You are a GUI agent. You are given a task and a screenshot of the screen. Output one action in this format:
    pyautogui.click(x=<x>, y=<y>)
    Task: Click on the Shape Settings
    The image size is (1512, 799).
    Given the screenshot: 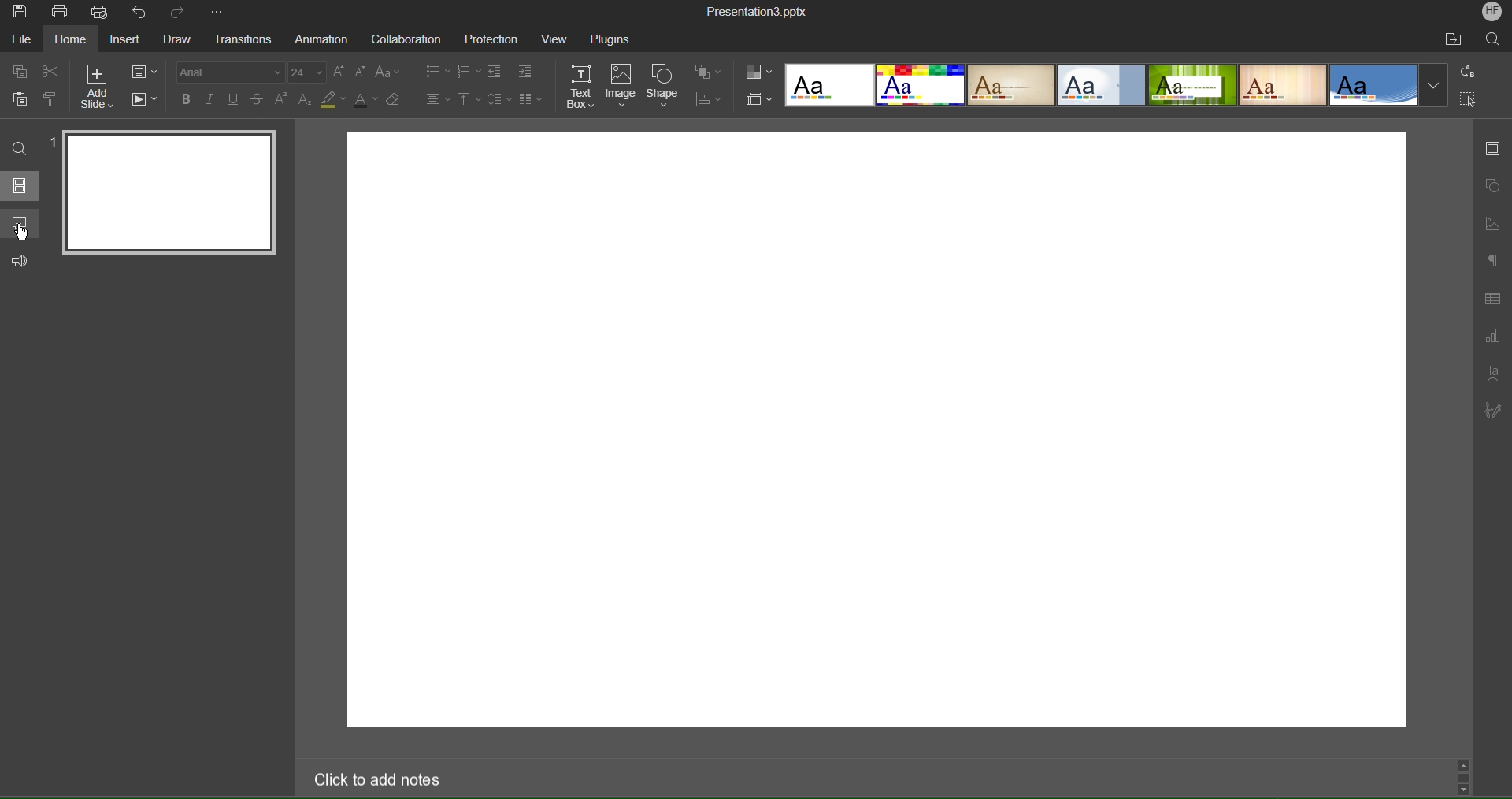 What is the action you would take?
    pyautogui.click(x=1493, y=186)
    